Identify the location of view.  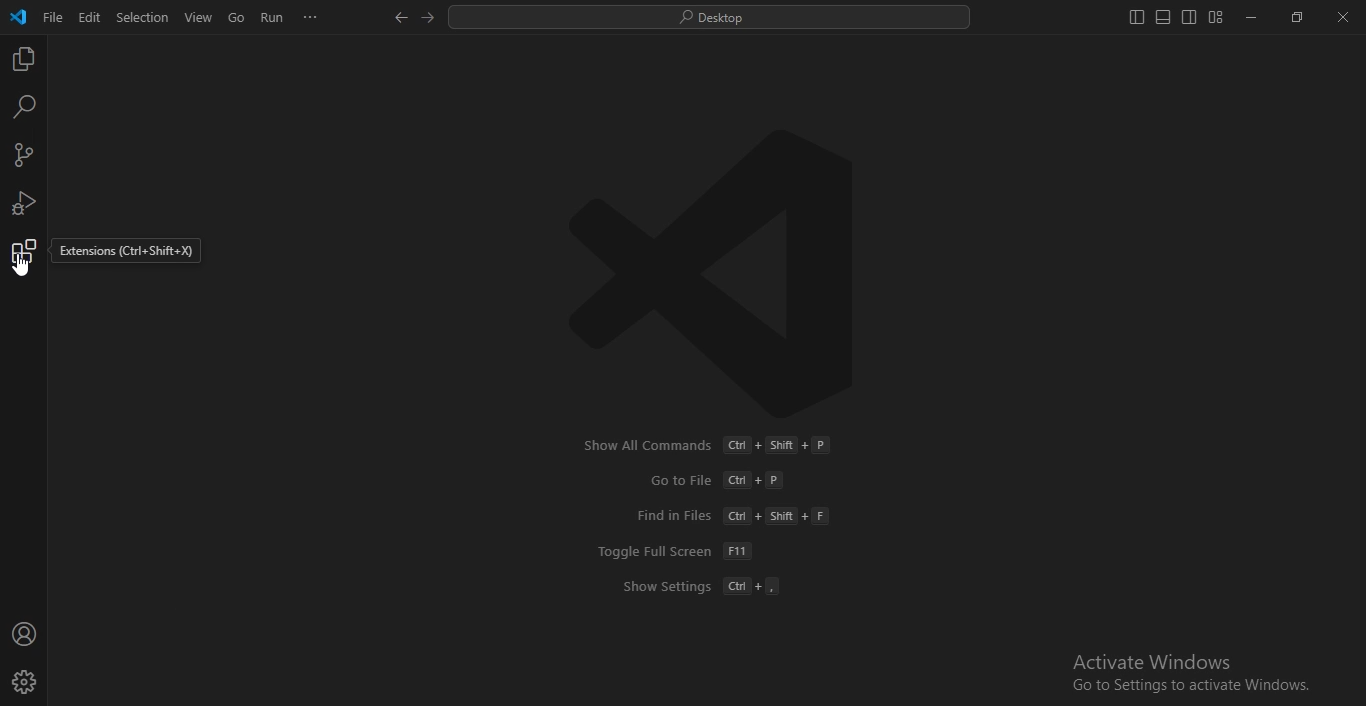
(198, 16).